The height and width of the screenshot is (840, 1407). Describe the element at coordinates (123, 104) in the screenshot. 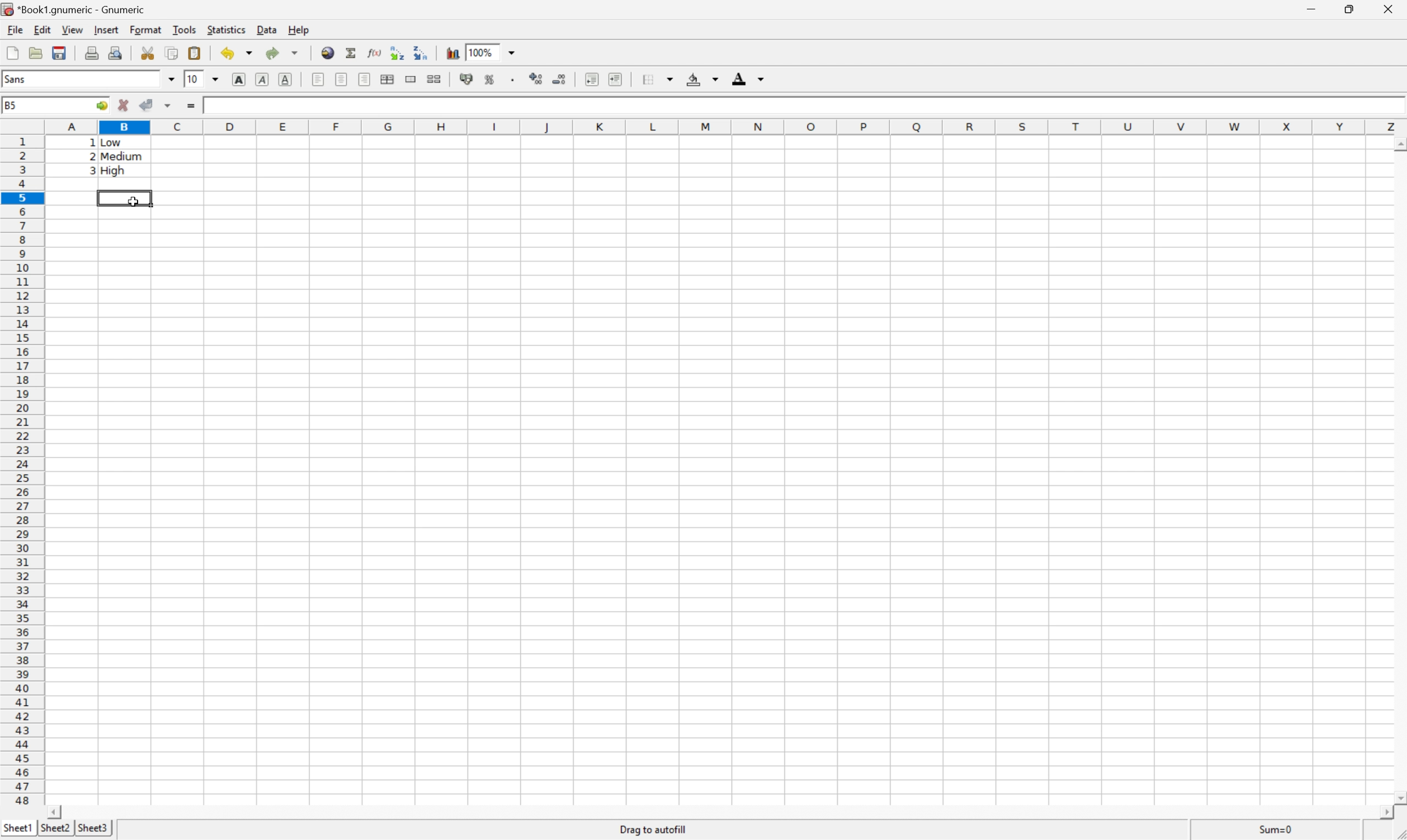

I see `Cancel changes` at that location.